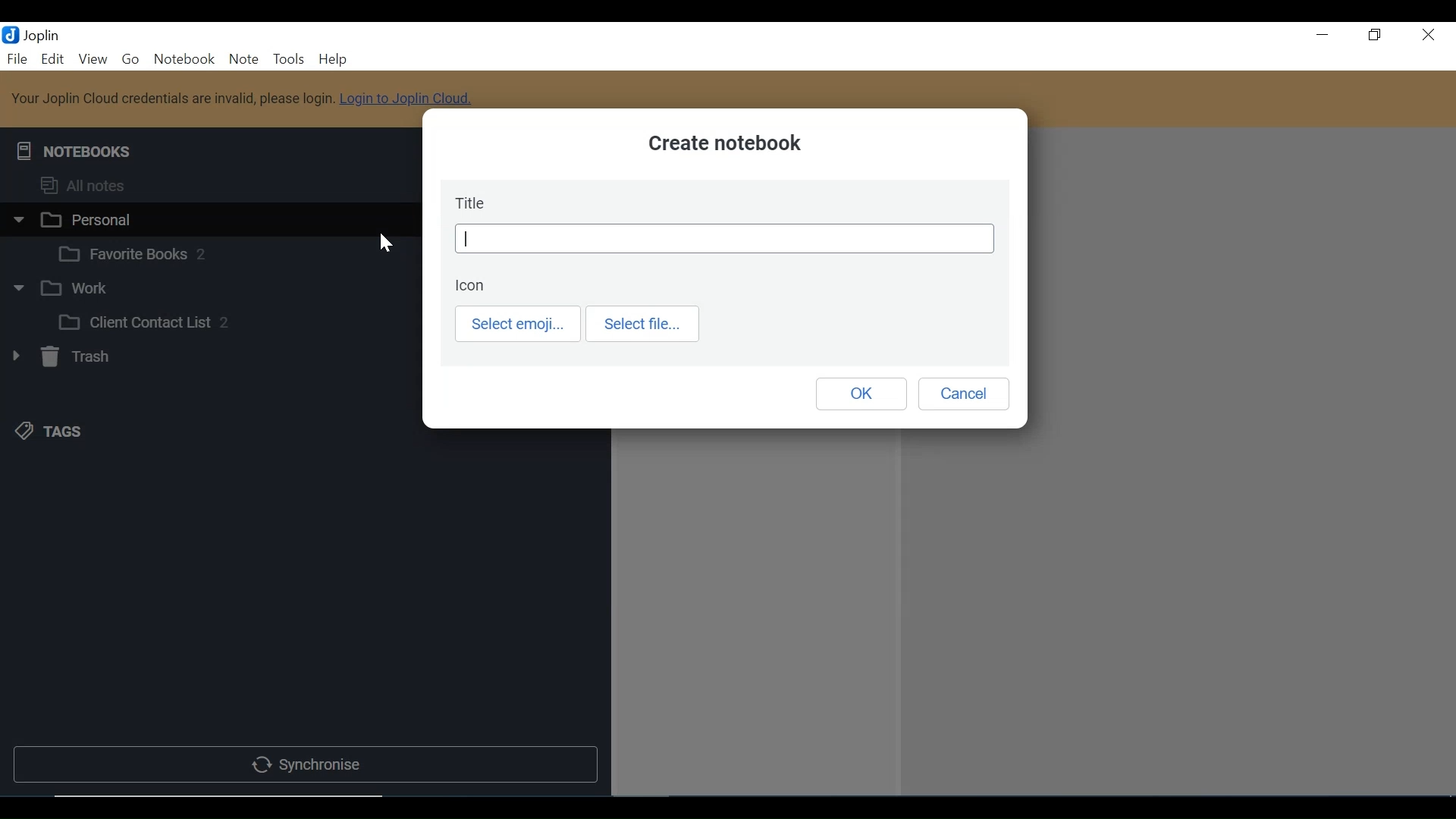 The height and width of the screenshot is (819, 1456). I want to click on Notebook, so click(184, 60).